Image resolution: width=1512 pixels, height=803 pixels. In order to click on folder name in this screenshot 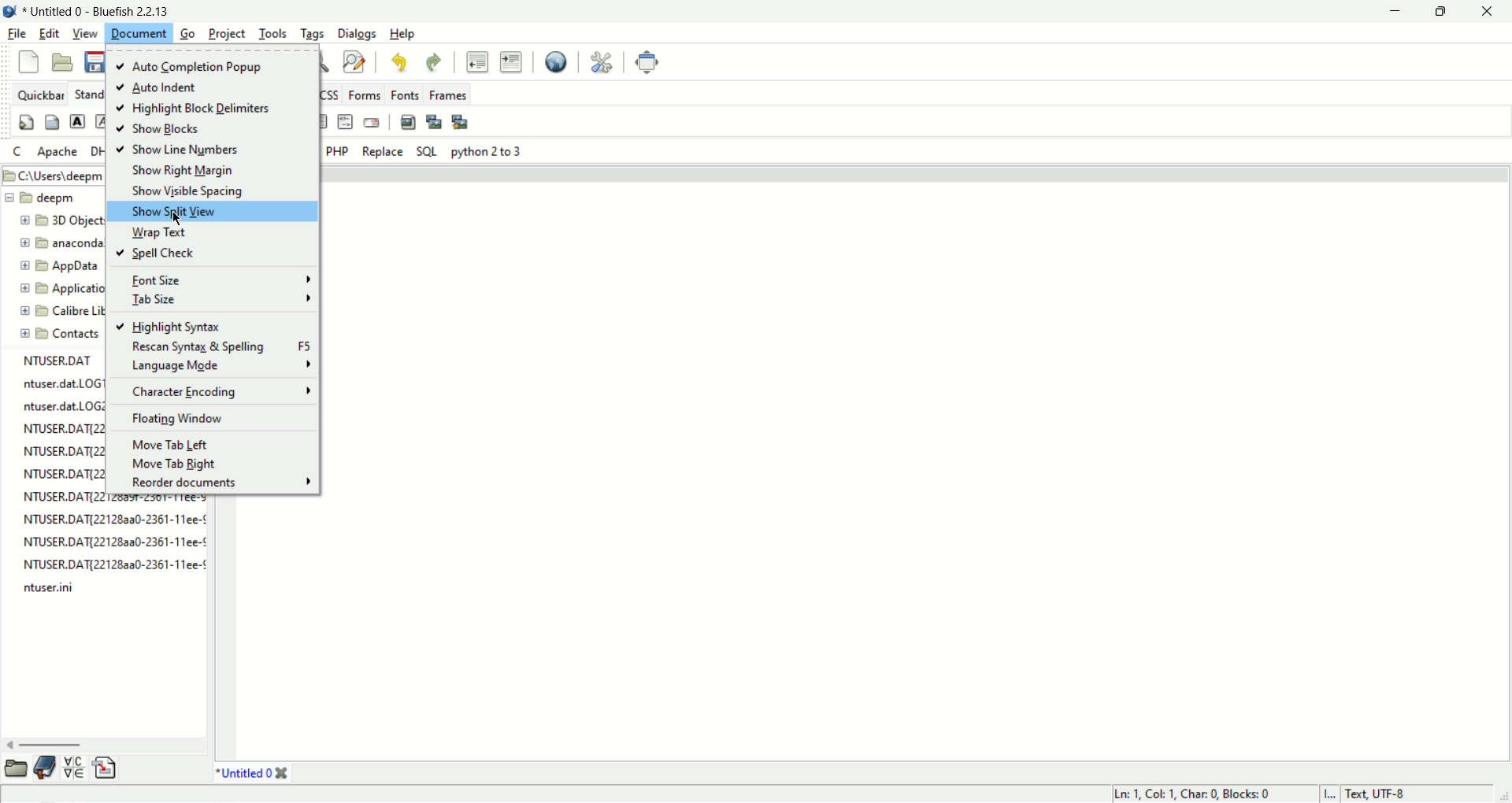, I will do `click(61, 242)`.